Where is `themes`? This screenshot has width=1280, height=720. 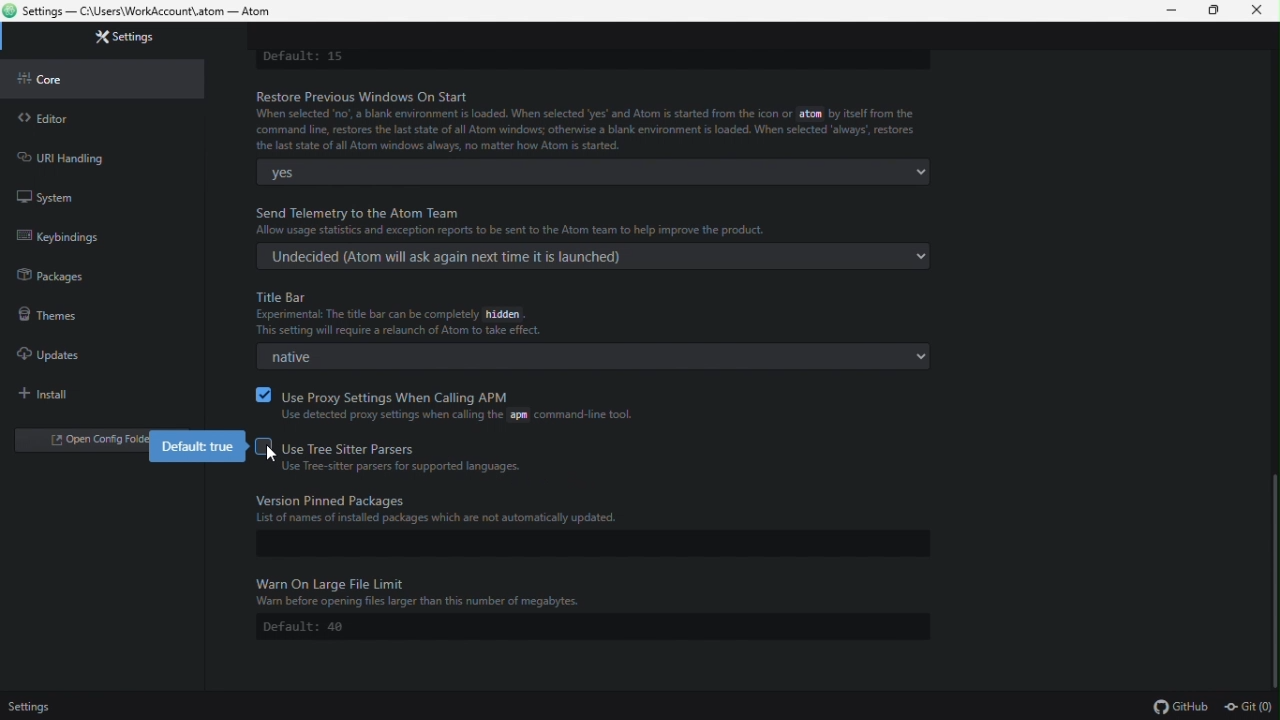 themes is located at coordinates (45, 313).